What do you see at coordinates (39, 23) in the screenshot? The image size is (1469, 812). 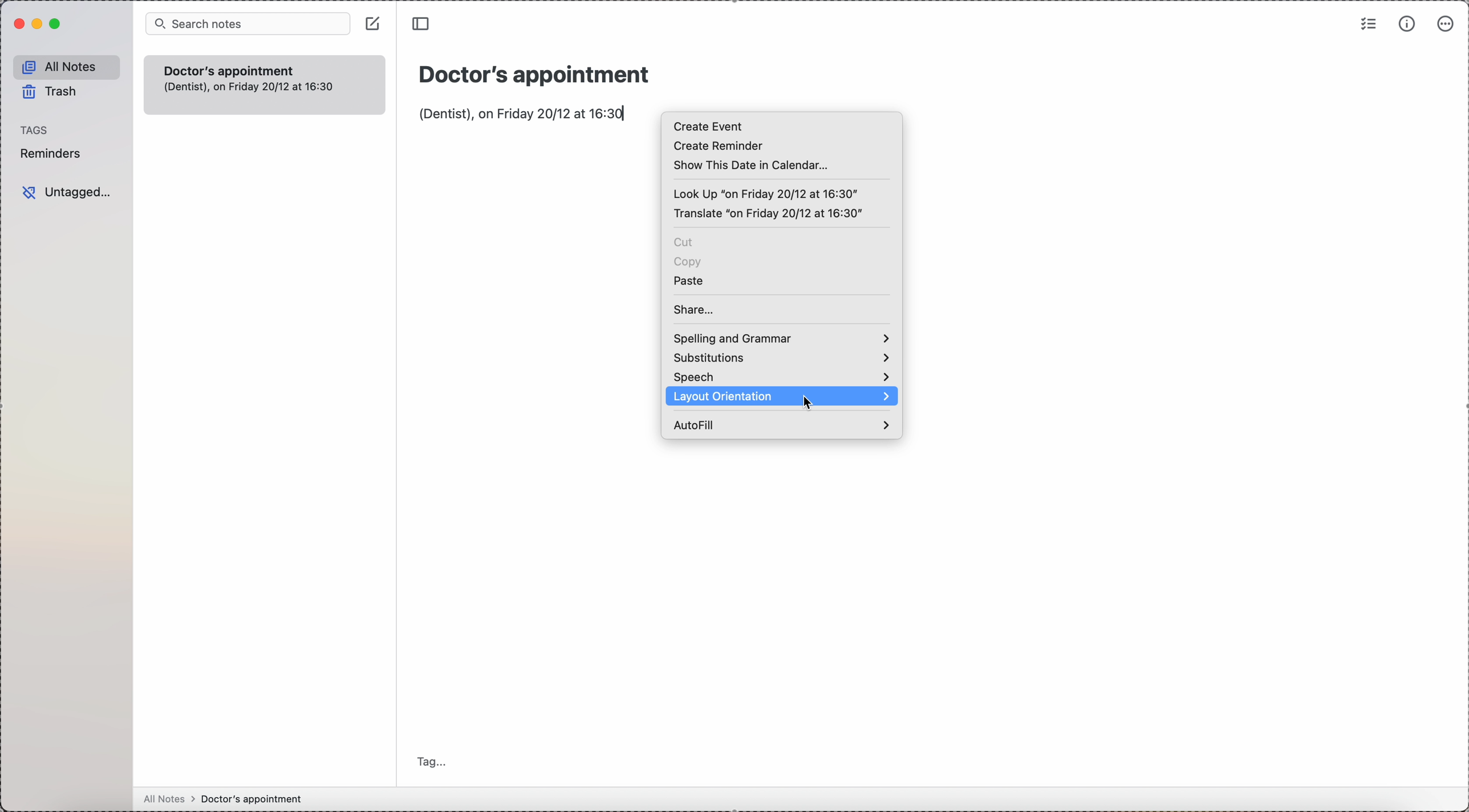 I see `minimize Simplenote` at bounding box center [39, 23].